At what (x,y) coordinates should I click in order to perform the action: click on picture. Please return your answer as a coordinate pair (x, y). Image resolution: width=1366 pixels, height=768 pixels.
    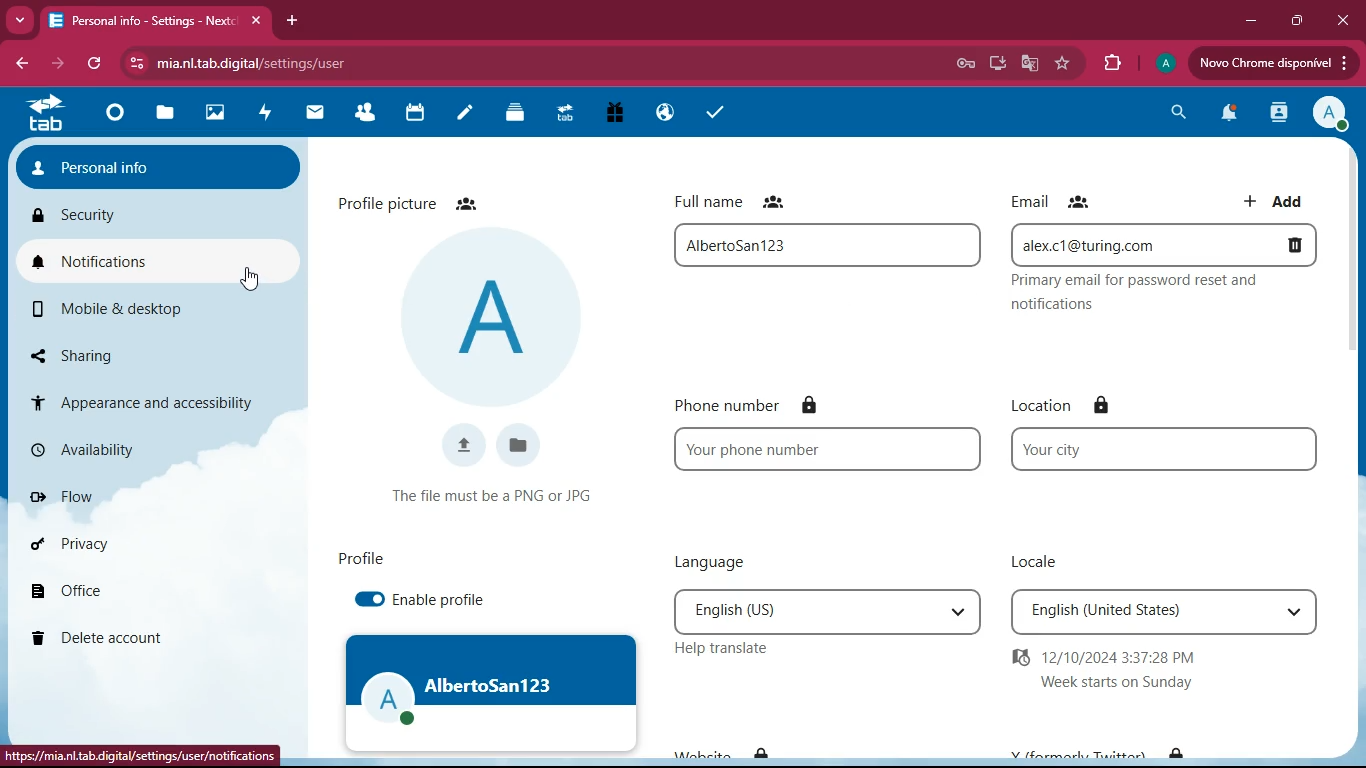
    Looking at the image, I should click on (493, 315).